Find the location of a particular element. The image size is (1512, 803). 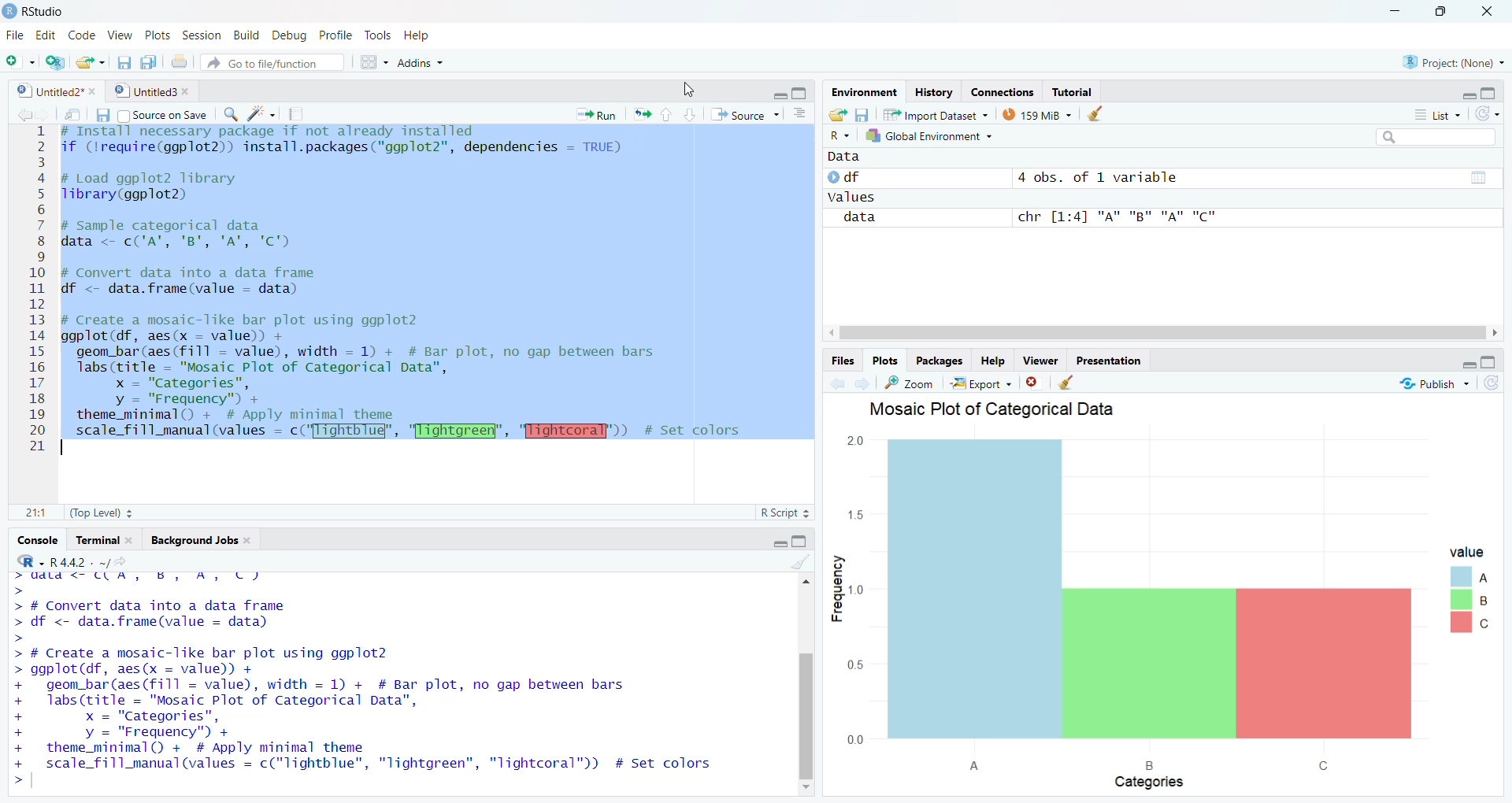

Import Dataset is located at coordinates (936, 115).